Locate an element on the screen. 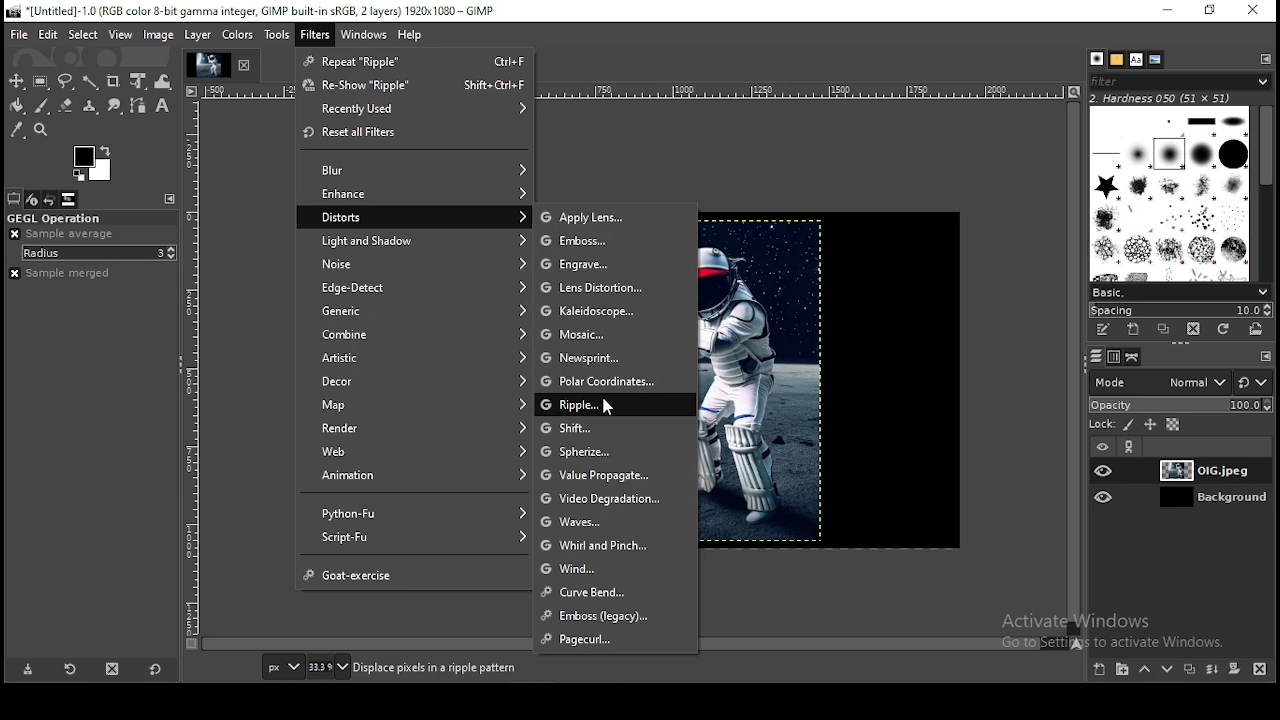  emboss is located at coordinates (605, 241).